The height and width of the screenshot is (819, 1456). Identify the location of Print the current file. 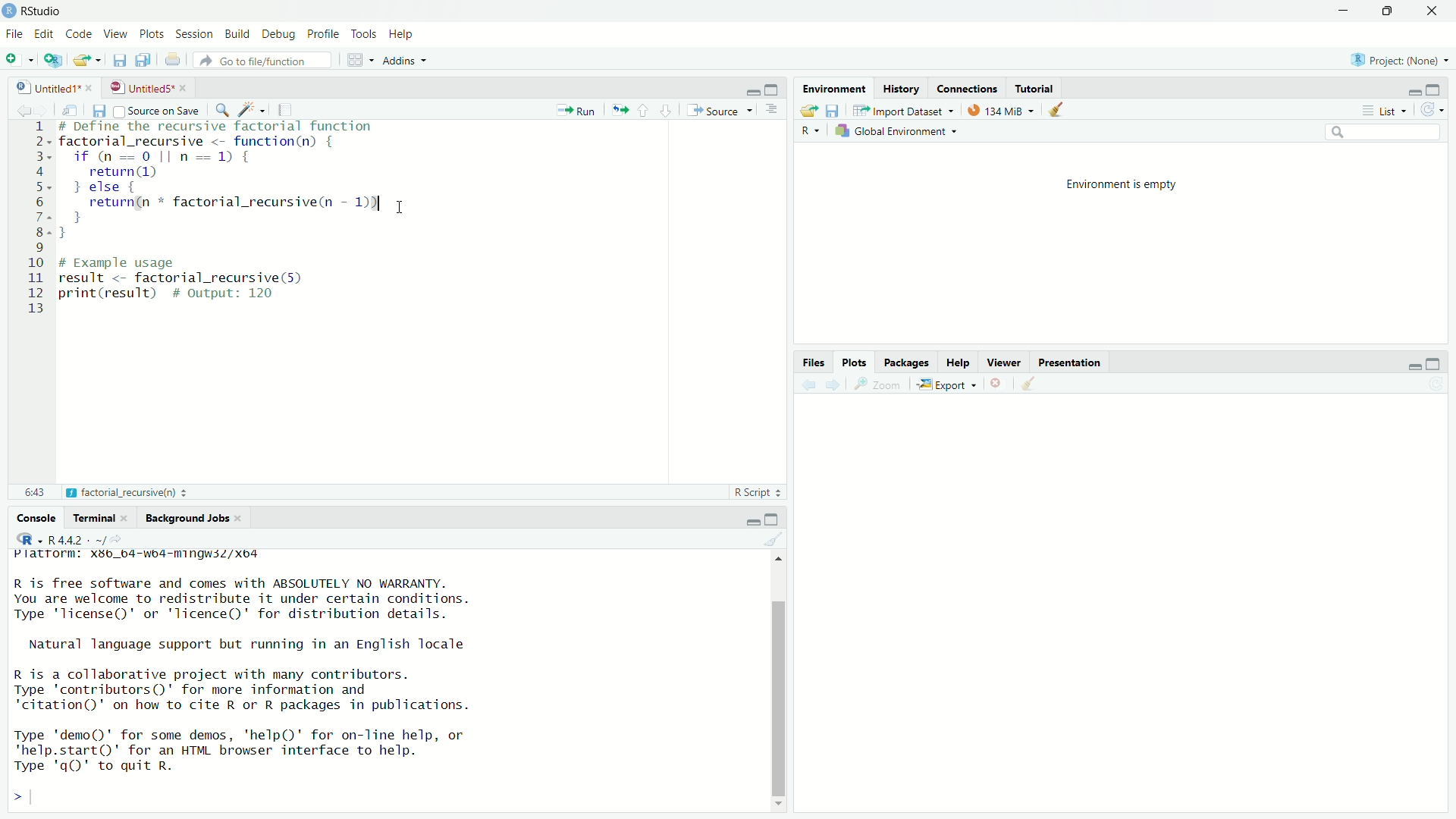
(178, 63).